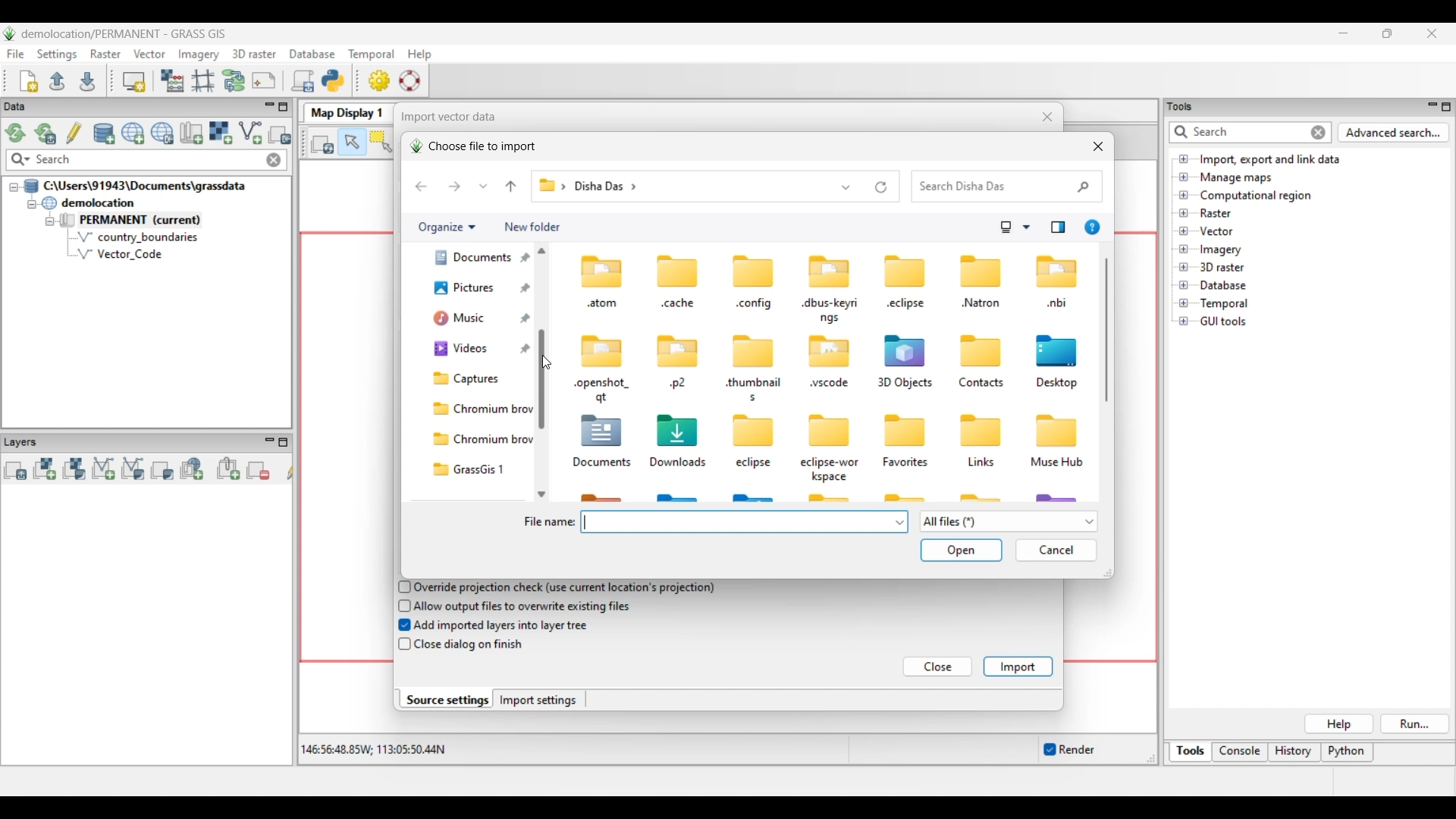 The width and height of the screenshot is (1456, 819). I want to click on -openshot_
at, so click(603, 391).